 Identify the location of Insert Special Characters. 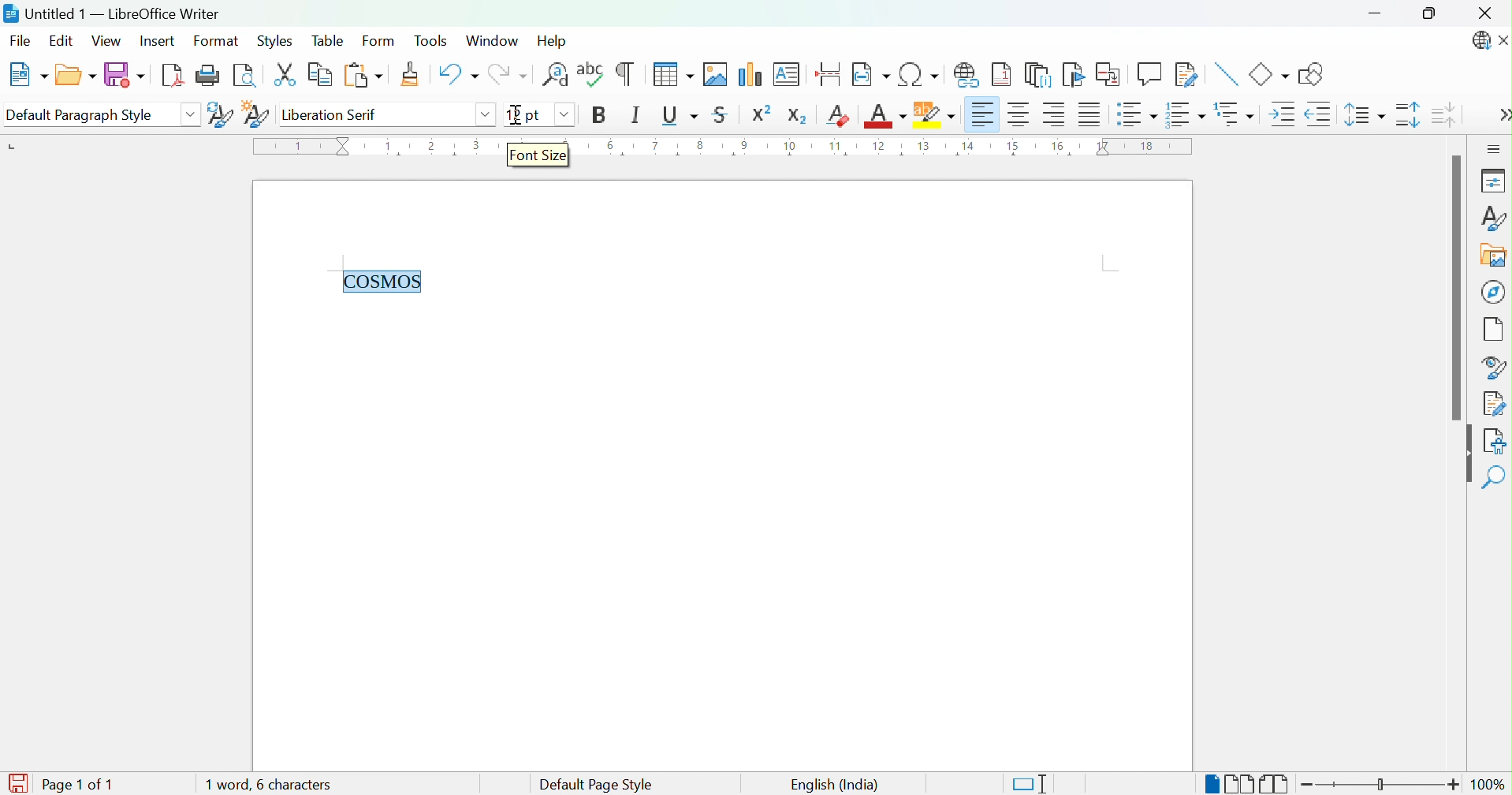
(920, 75).